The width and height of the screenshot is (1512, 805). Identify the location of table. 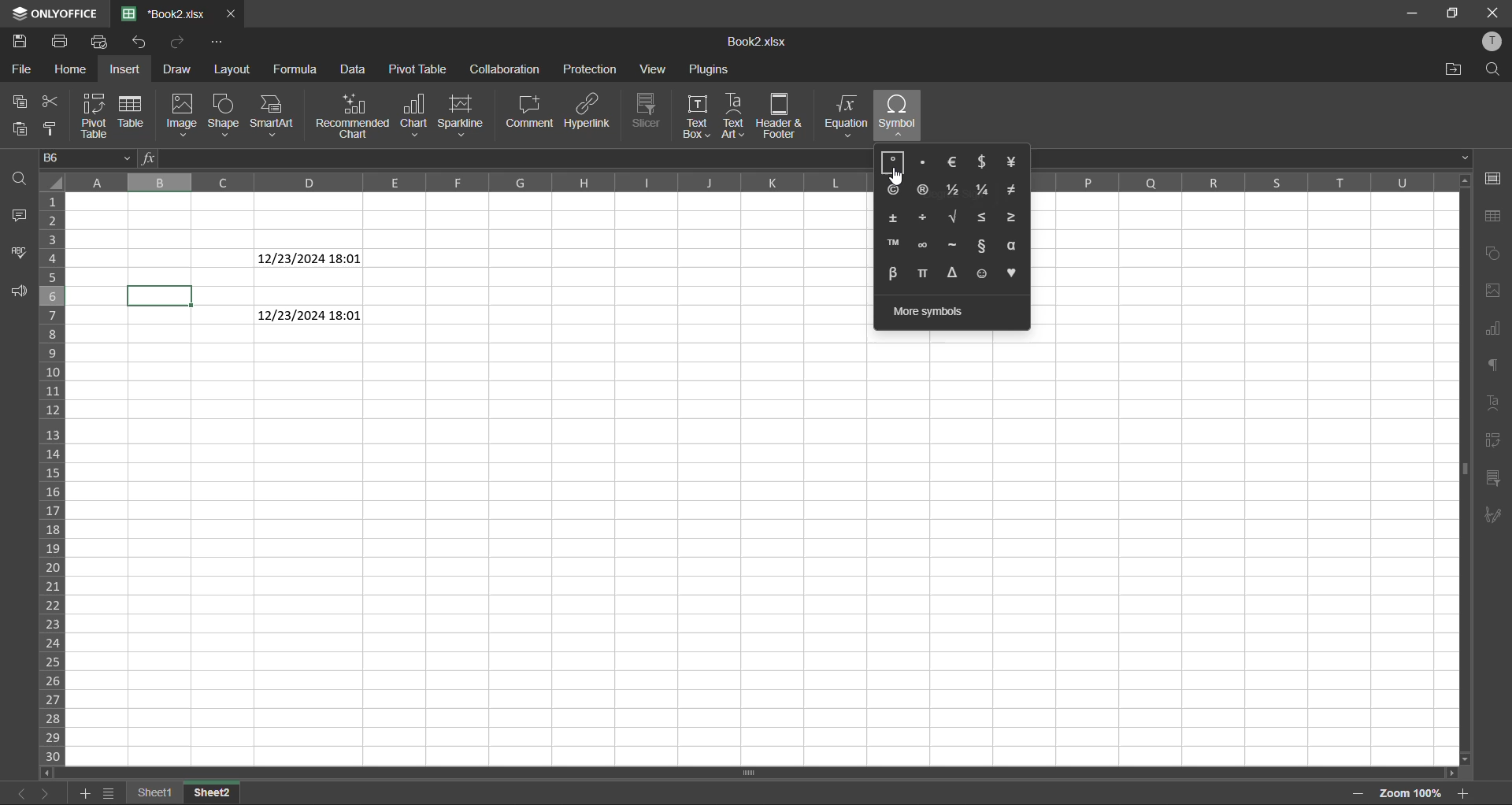
(1493, 217).